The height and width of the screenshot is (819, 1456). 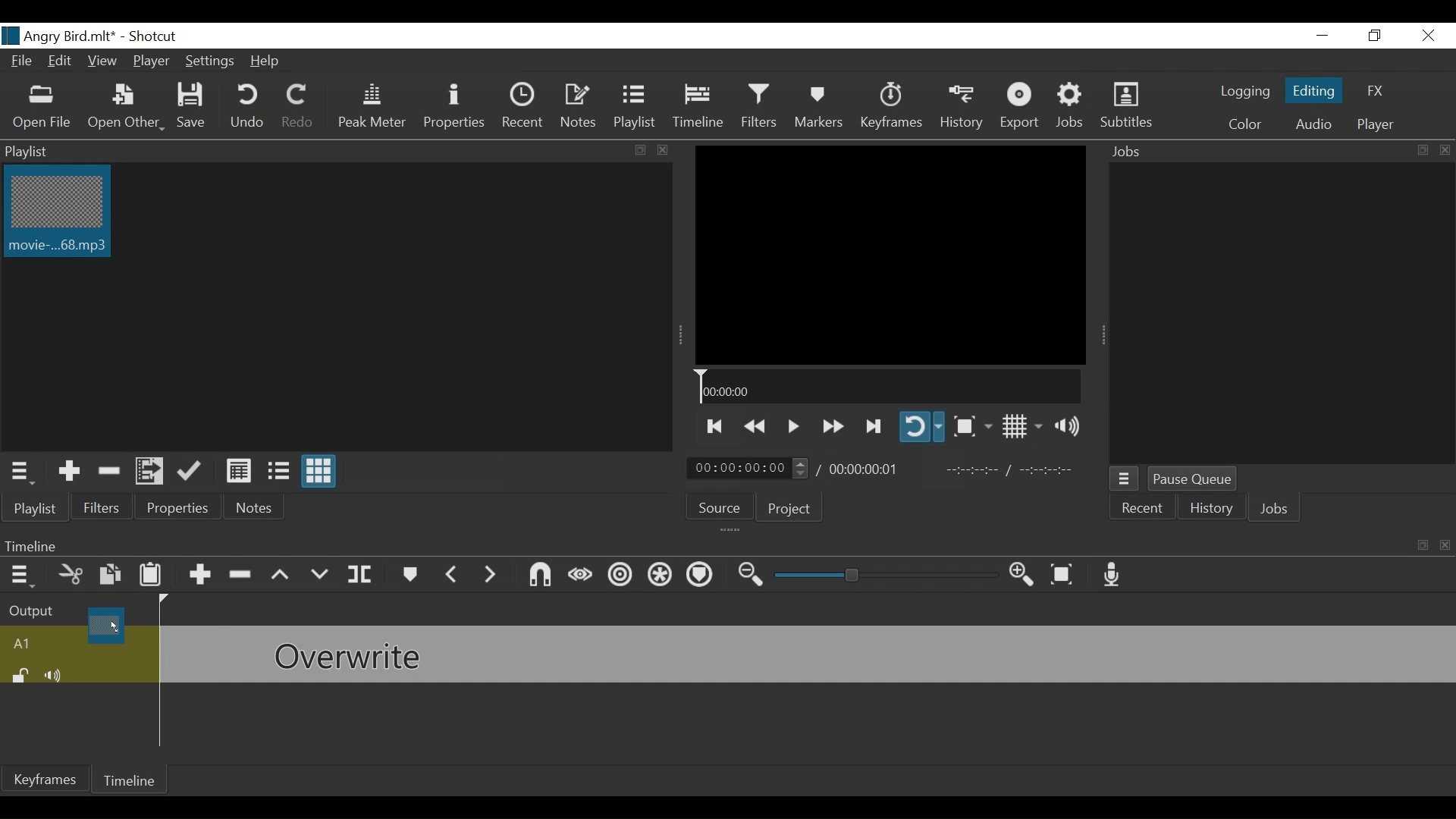 I want to click on Pause Queue, so click(x=1193, y=479).